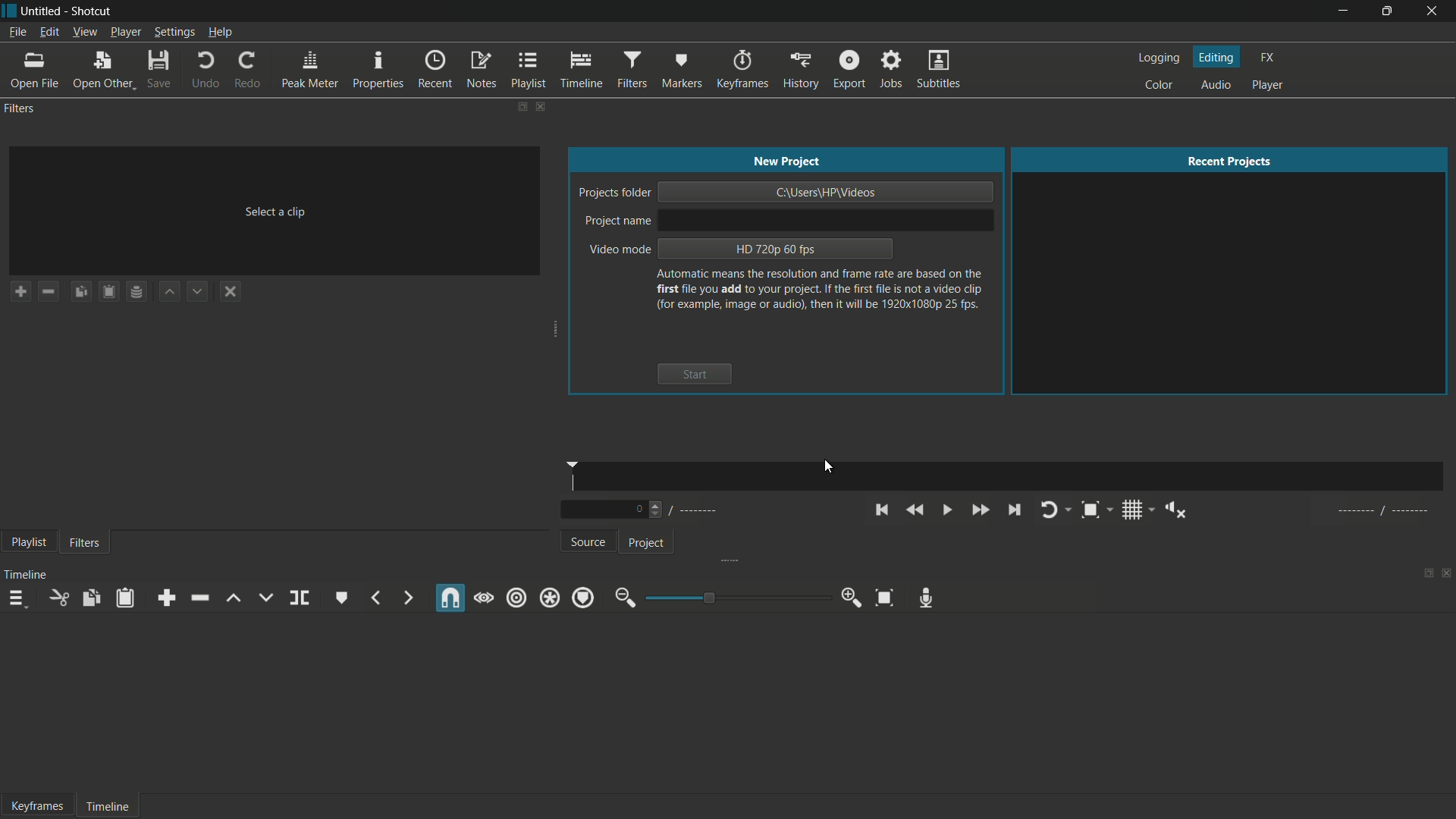  Describe the element at coordinates (926, 596) in the screenshot. I see `record audio` at that location.